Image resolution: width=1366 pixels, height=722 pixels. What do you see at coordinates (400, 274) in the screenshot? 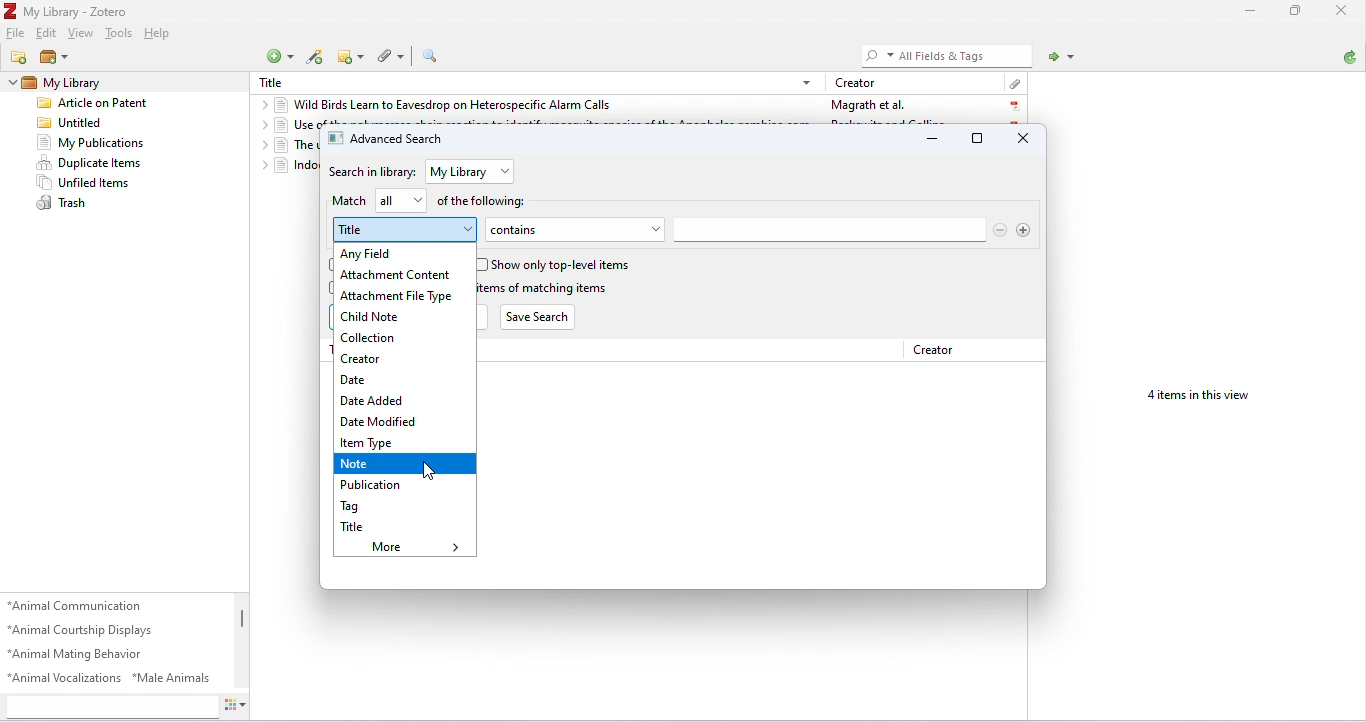
I see `attachment content` at bounding box center [400, 274].